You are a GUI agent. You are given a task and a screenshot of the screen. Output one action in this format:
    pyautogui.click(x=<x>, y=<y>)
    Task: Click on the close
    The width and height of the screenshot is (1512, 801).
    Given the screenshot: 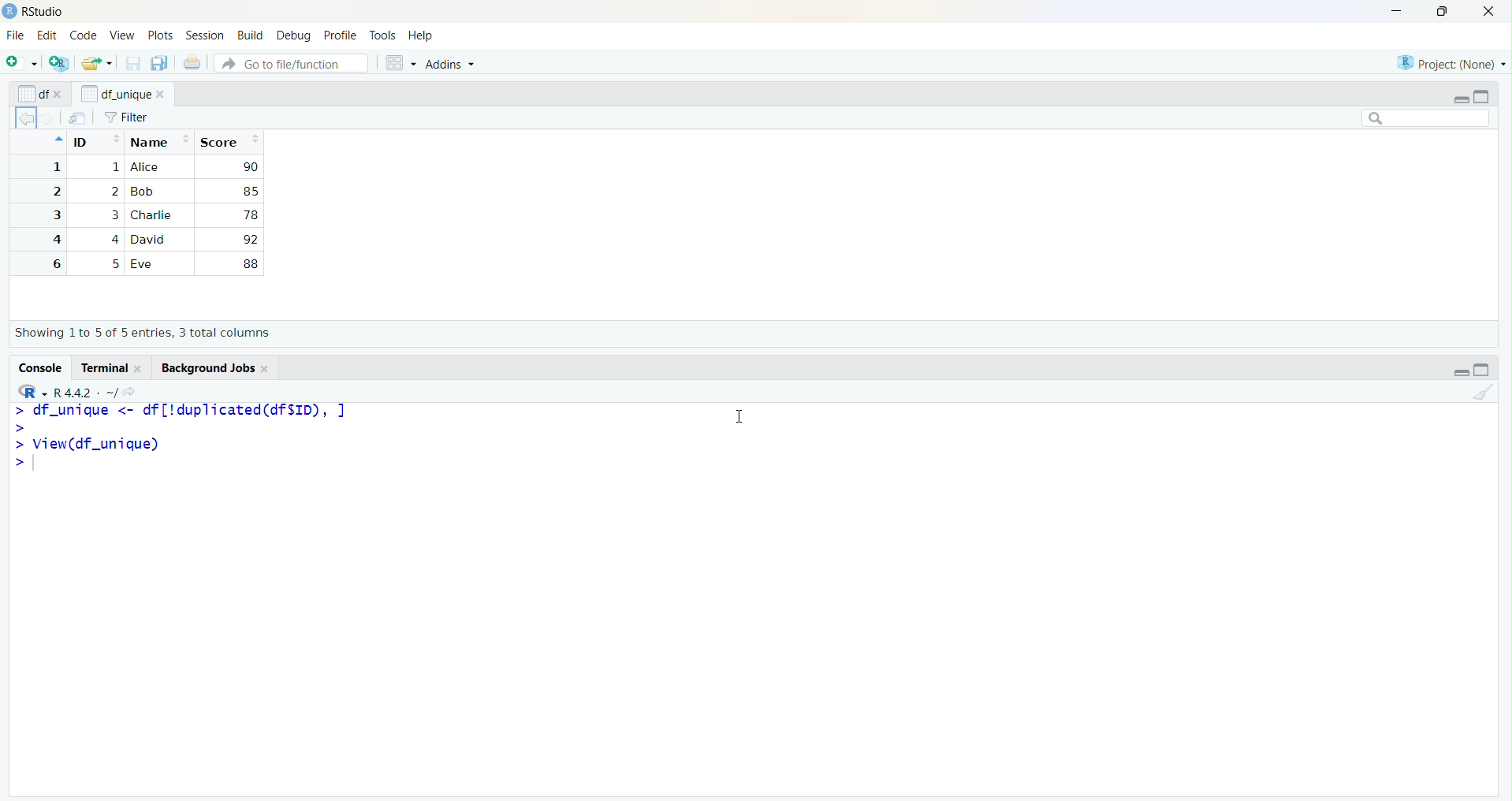 What is the action you would take?
    pyautogui.click(x=266, y=368)
    